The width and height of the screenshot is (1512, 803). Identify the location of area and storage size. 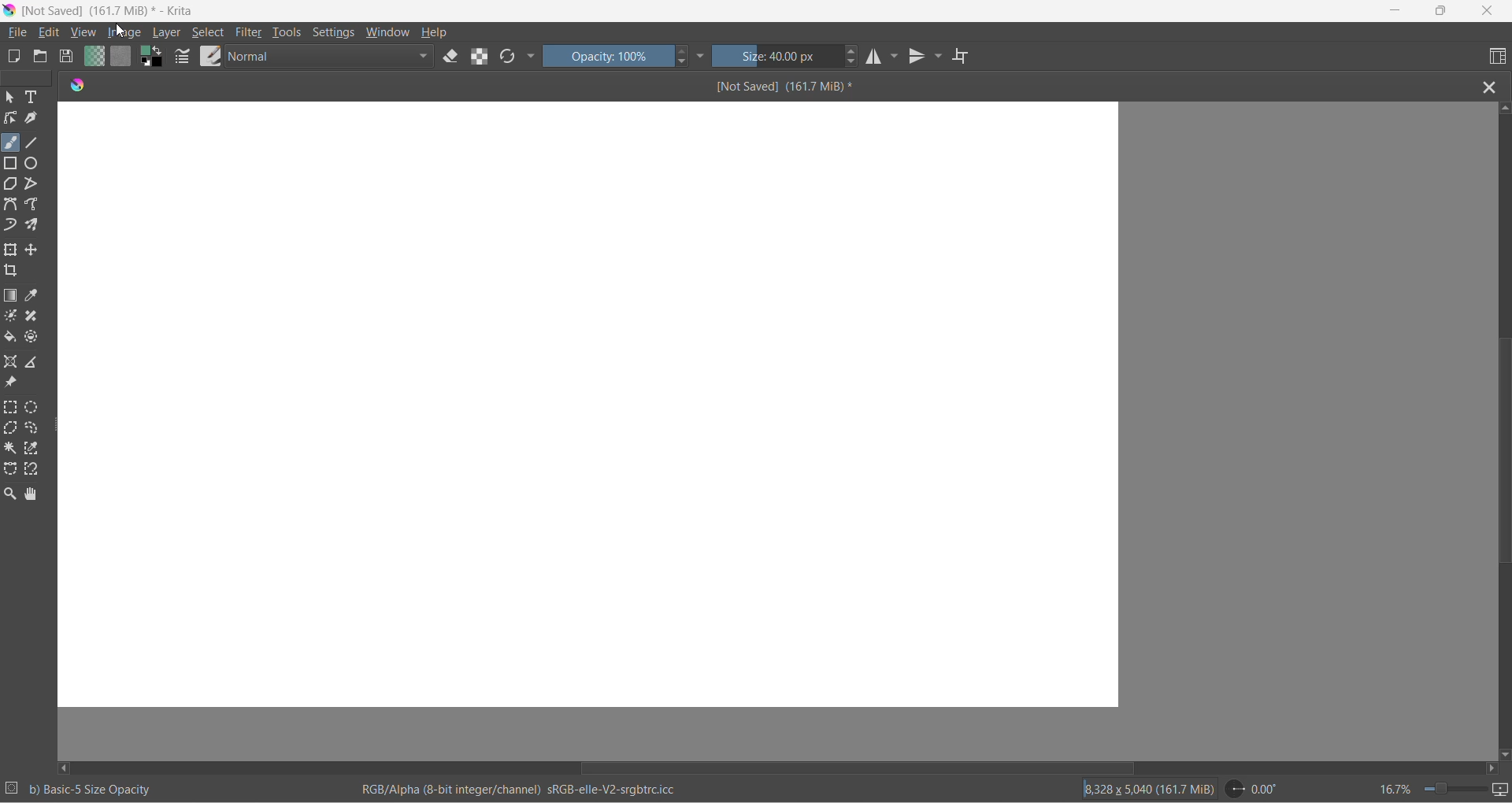
(1149, 788).